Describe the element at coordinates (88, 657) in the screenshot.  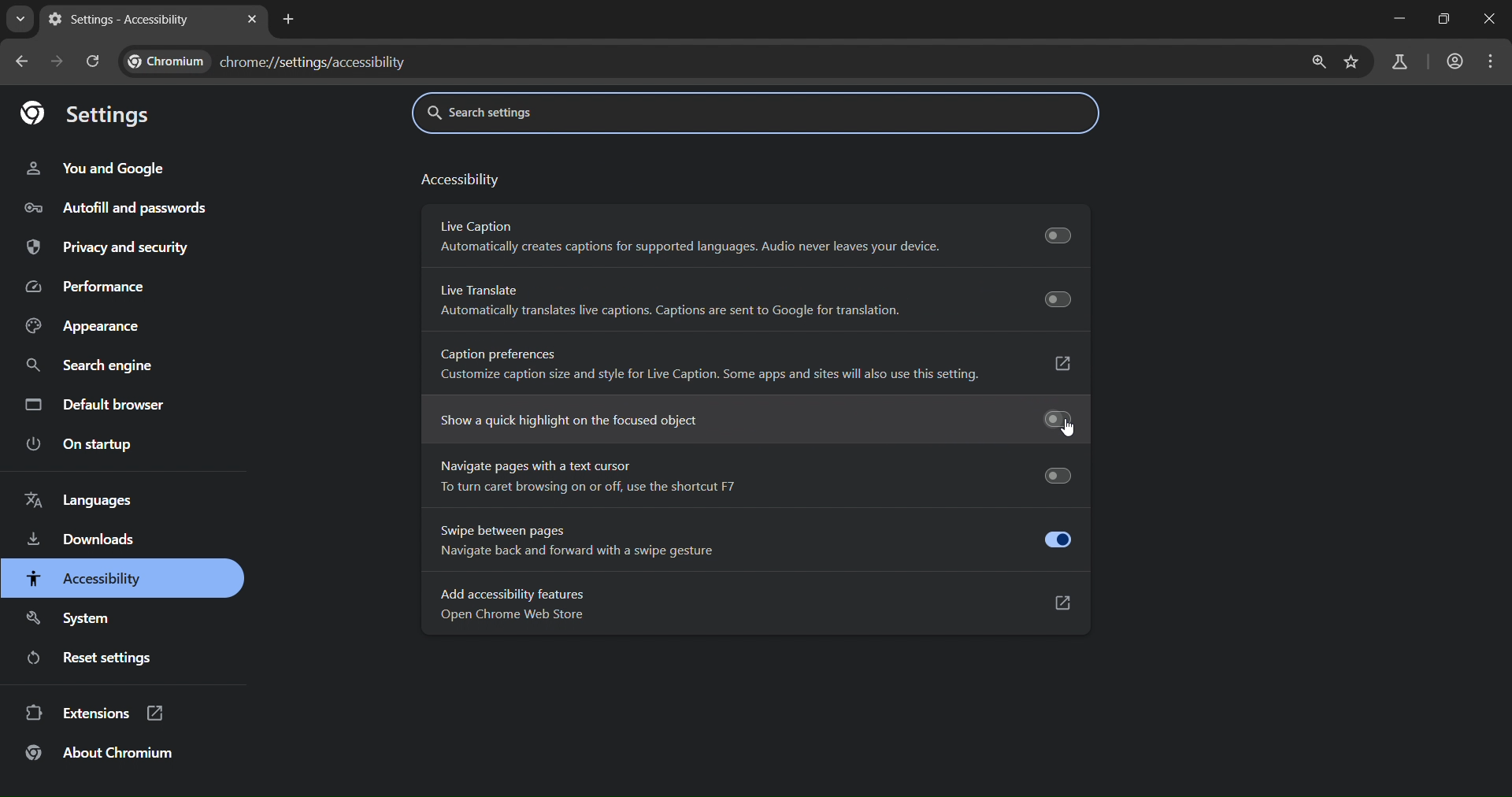
I see `reset settings` at that location.